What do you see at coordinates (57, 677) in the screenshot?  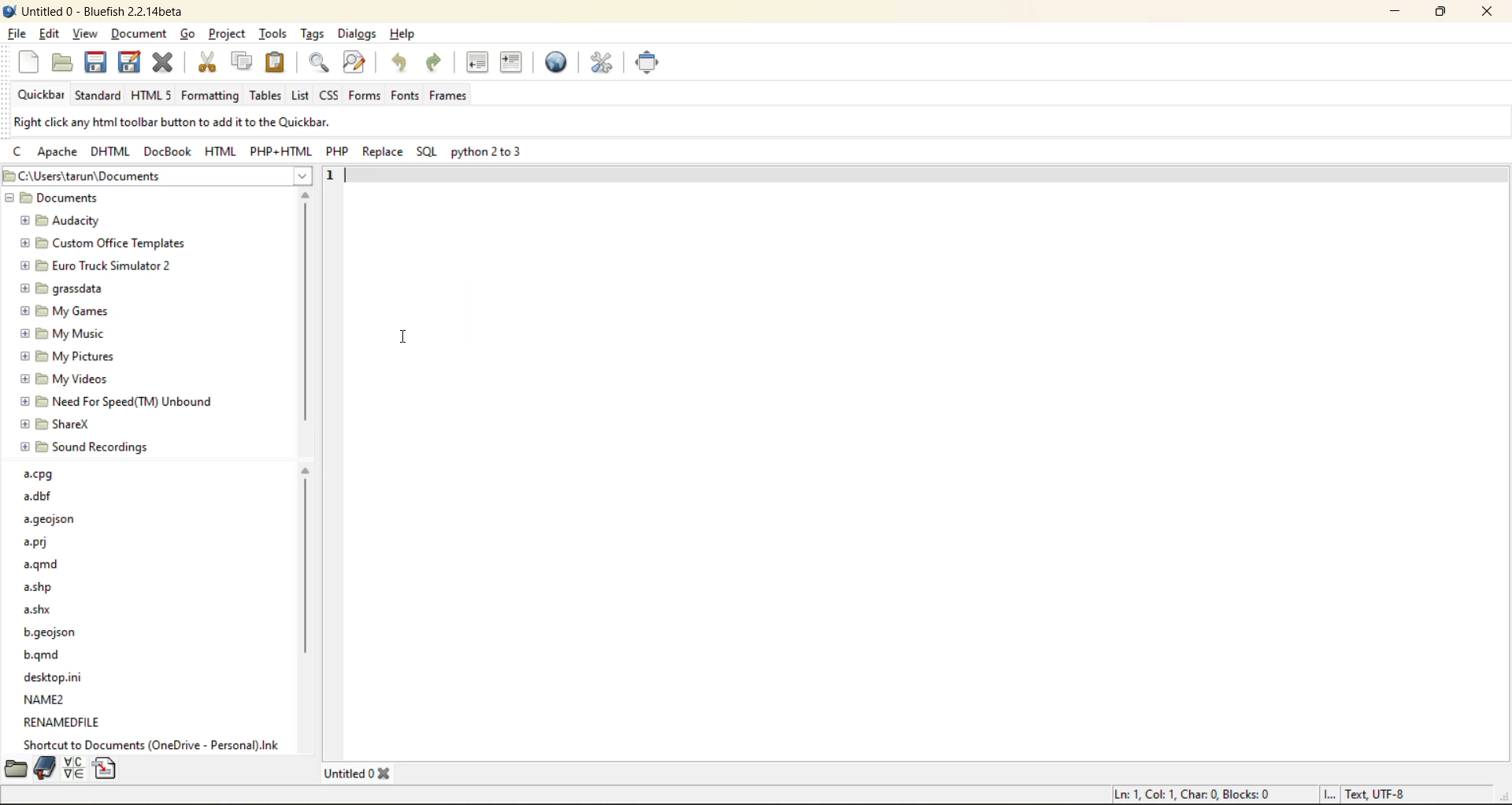 I see `desktop.ini` at bounding box center [57, 677].